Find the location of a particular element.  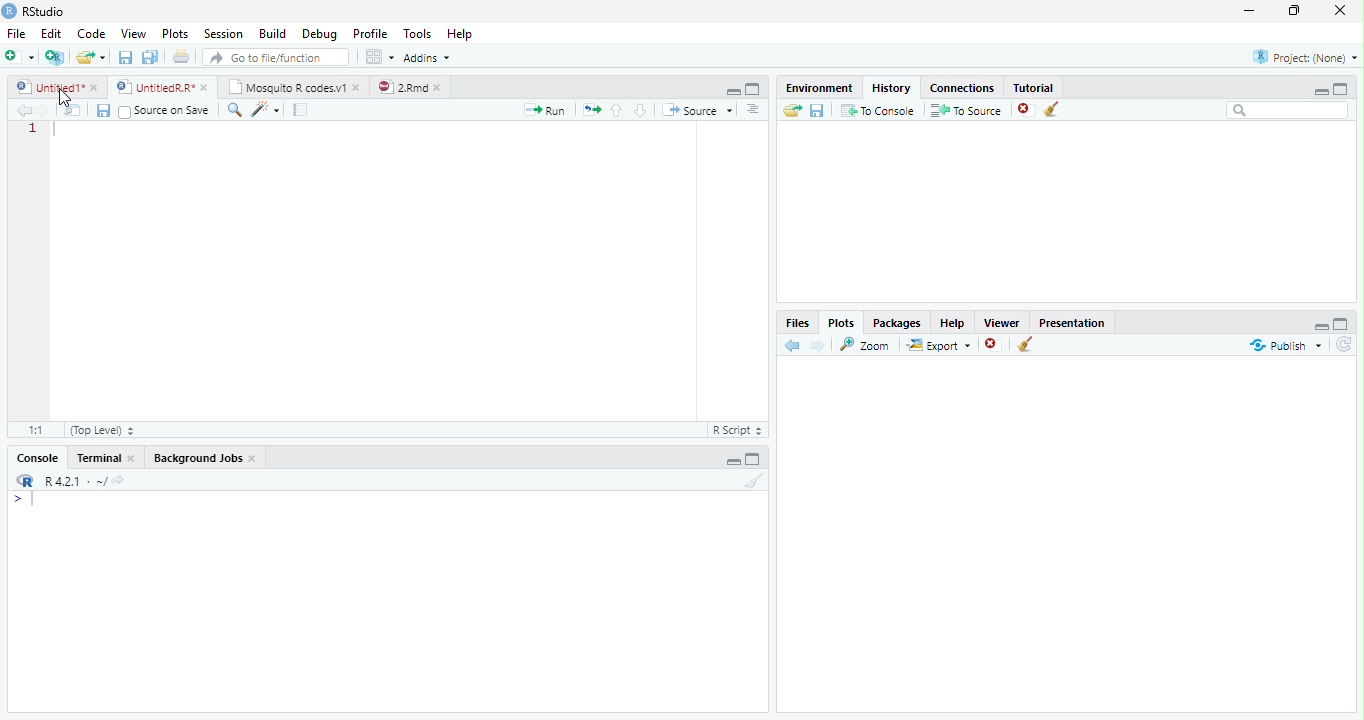

Environment is located at coordinates (819, 85).